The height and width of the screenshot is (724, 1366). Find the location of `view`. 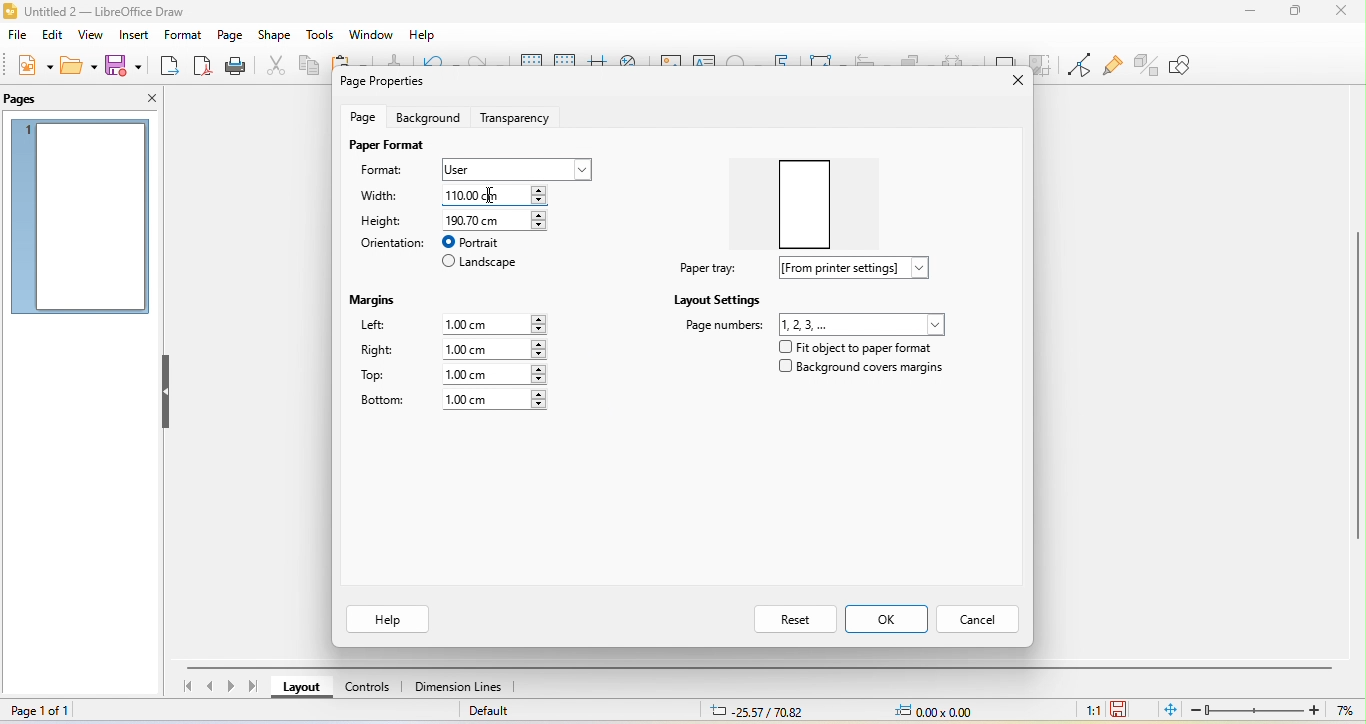

view is located at coordinates (89, 37).